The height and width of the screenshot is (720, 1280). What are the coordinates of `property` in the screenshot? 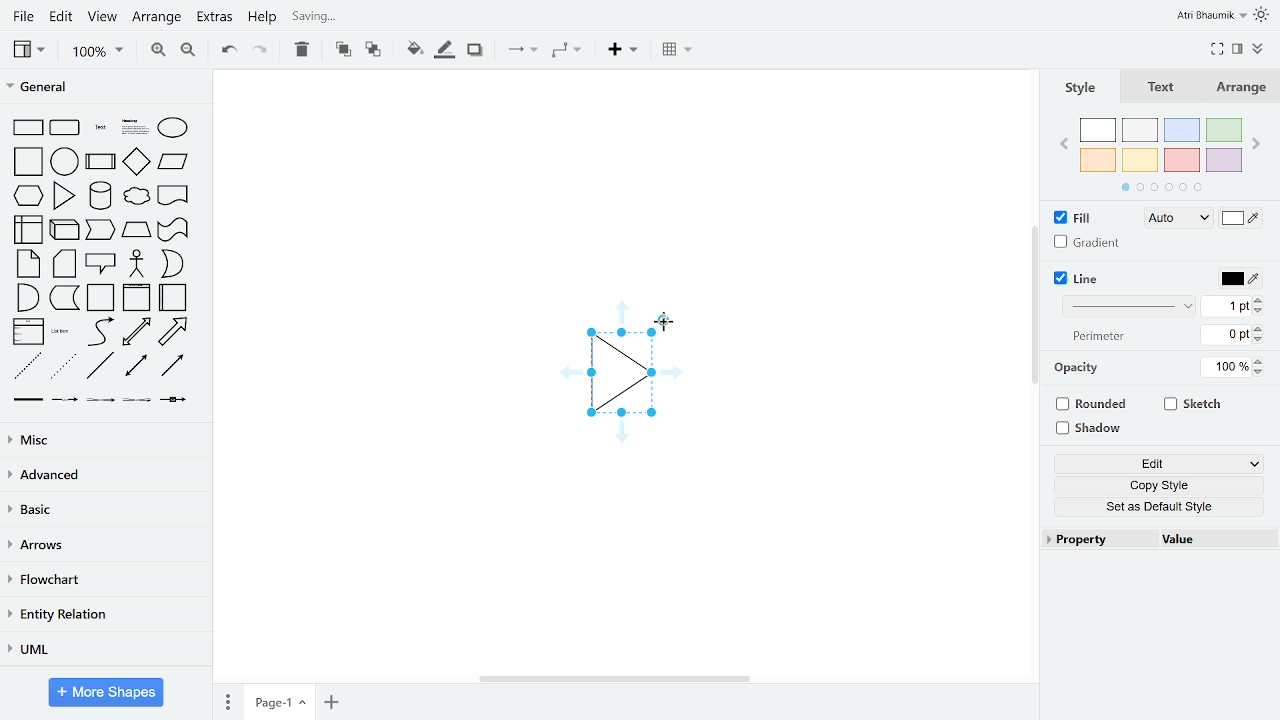 It's located at (1095, 539).